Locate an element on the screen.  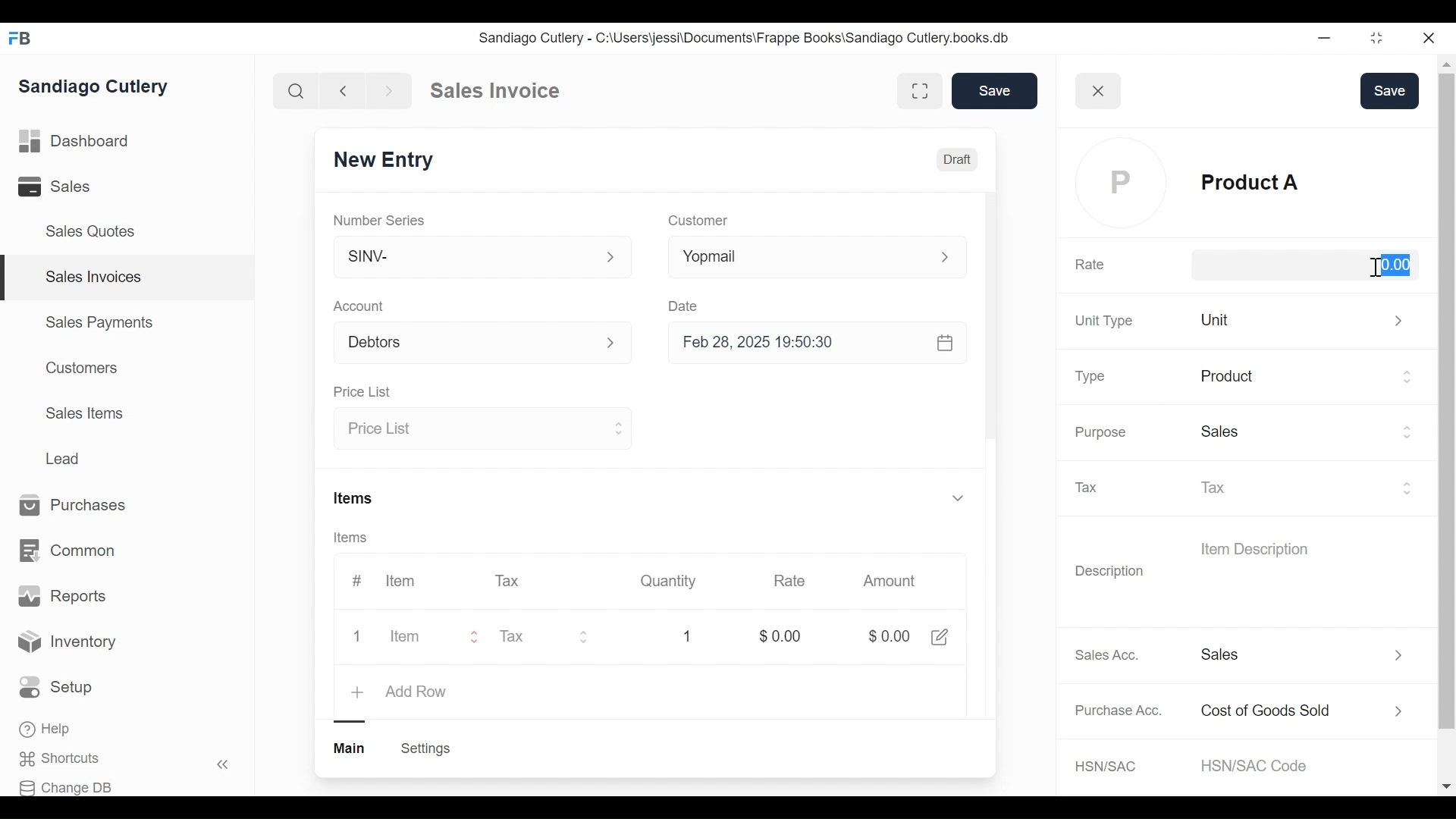
Date is located at coordinates (686, 304).